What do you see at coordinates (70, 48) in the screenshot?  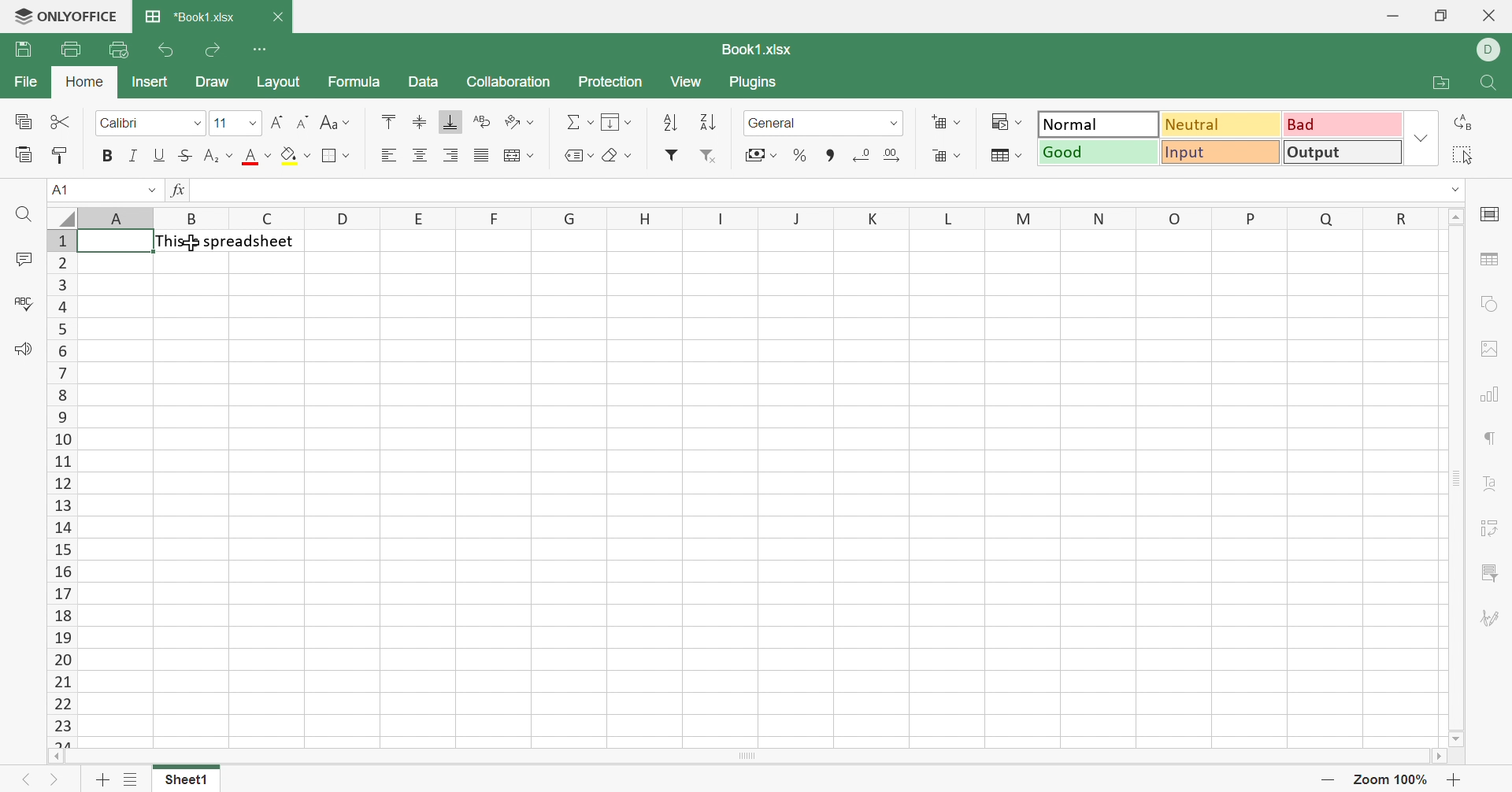 I see `Print` at bounding box center [70, 48].